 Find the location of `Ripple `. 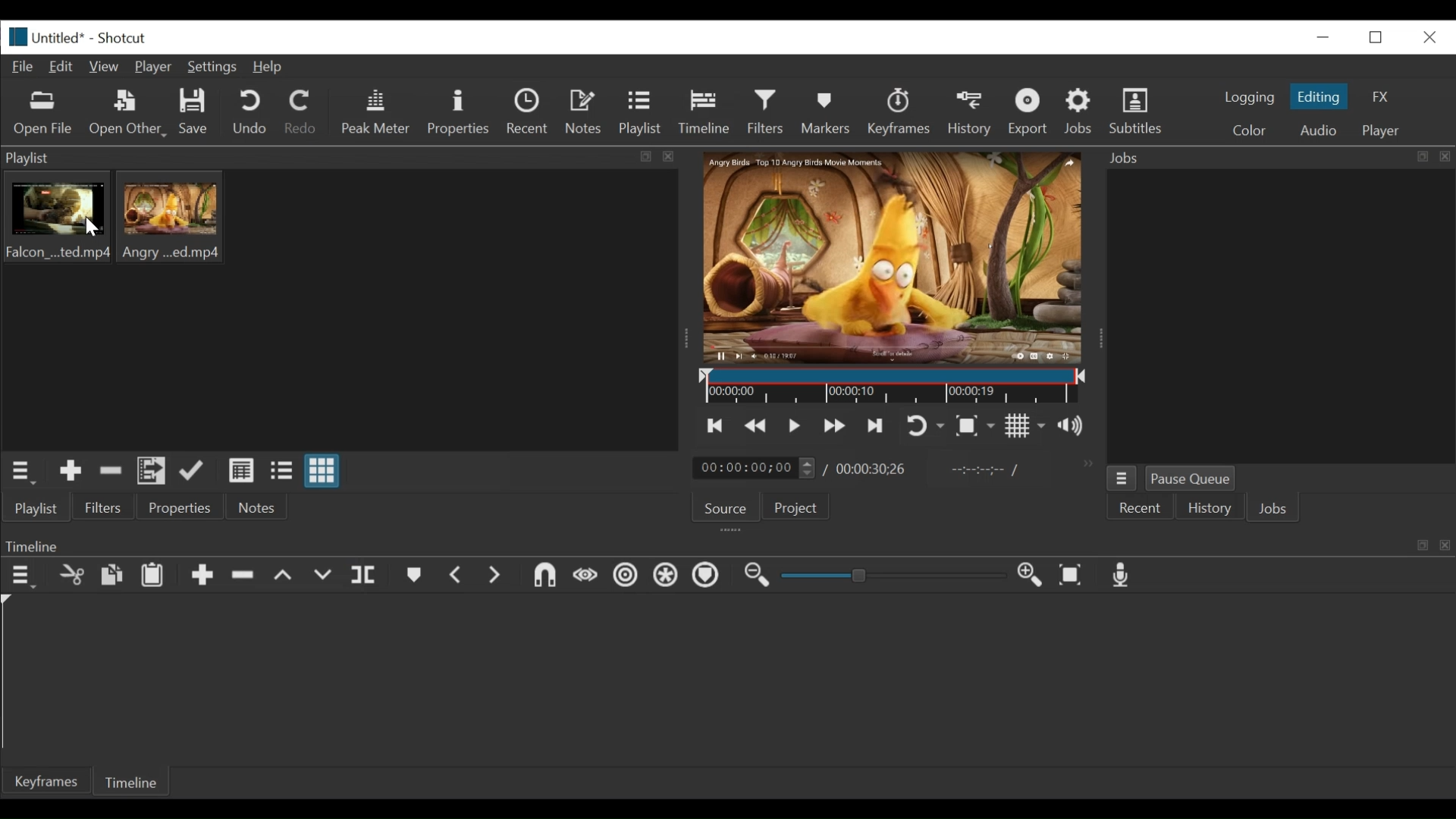

Ripple  is located at coordinates (626, 577).